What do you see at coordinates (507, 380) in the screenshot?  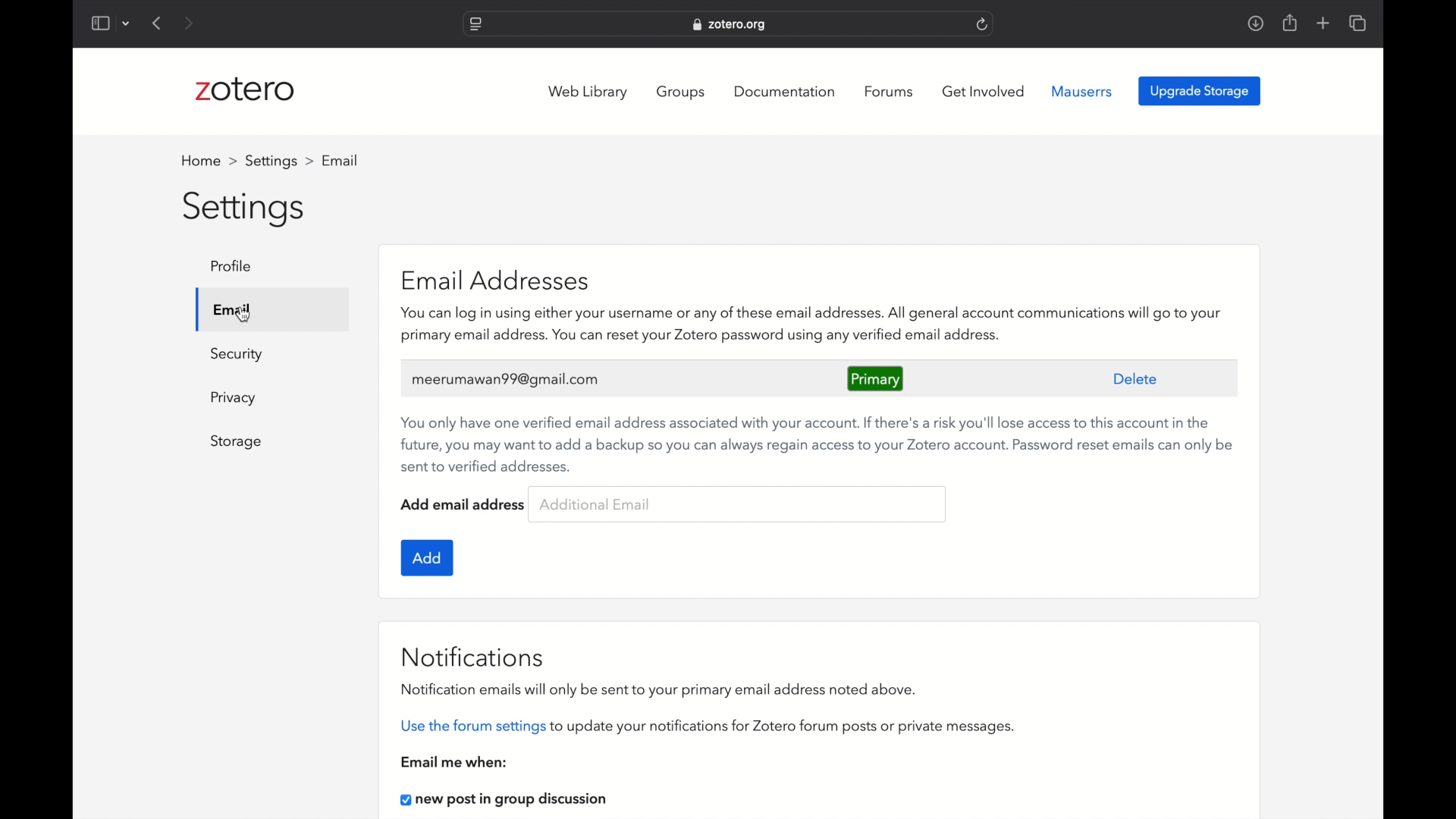 I see `user's email address` at bounding box center [507, 380].